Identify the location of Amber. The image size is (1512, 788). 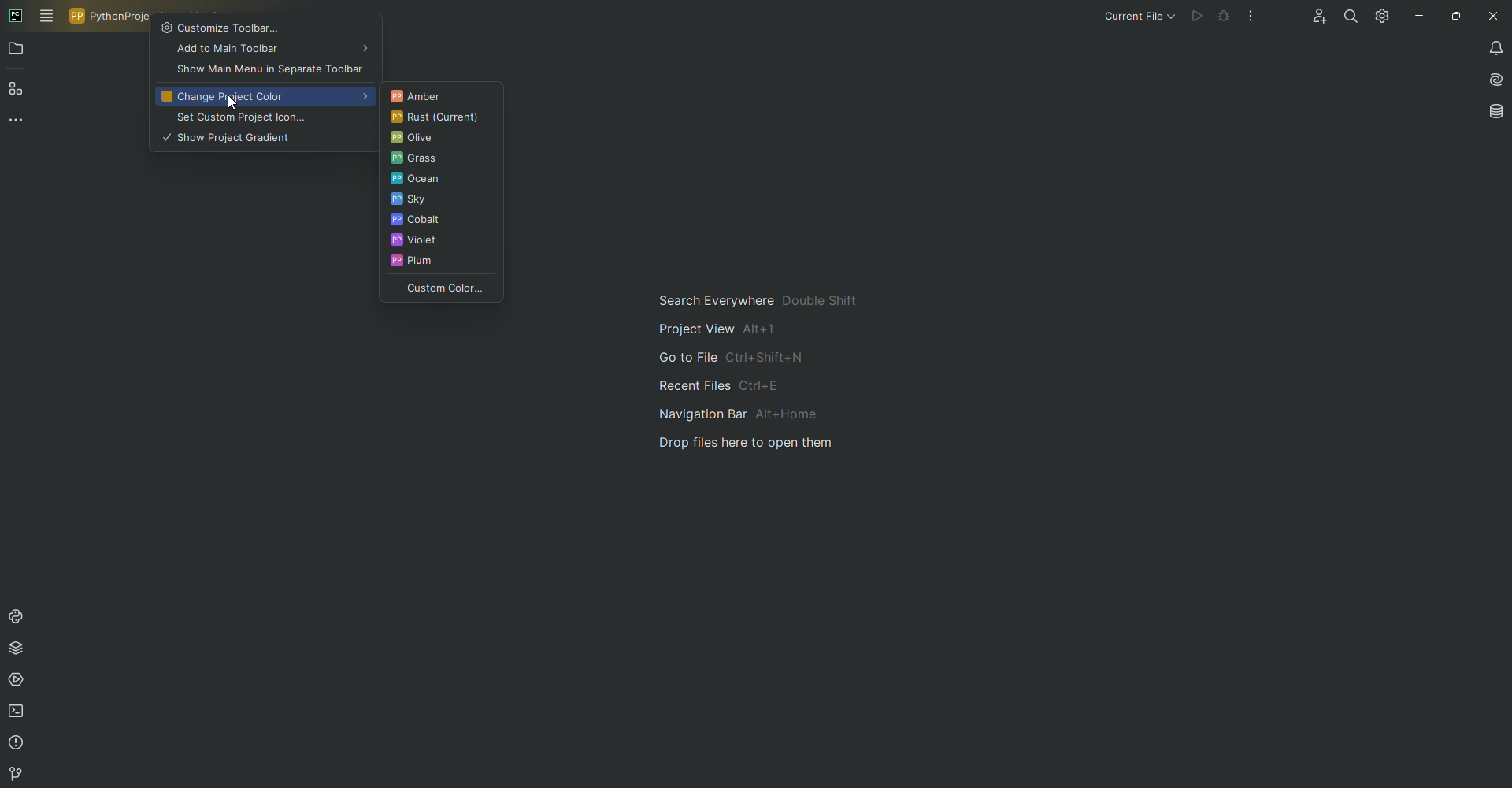
(439, 95).